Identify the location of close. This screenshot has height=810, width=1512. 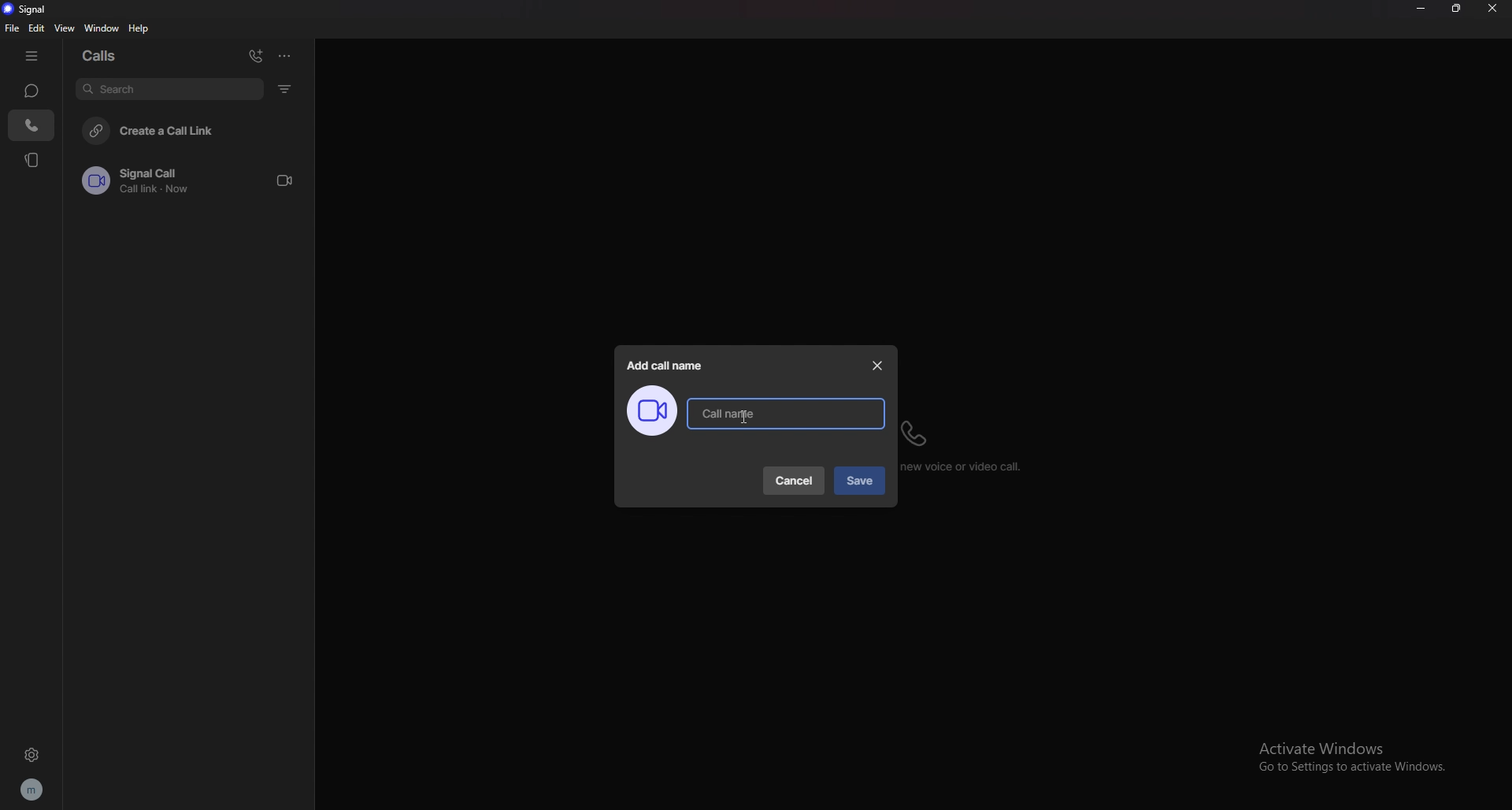
(1492, 9).